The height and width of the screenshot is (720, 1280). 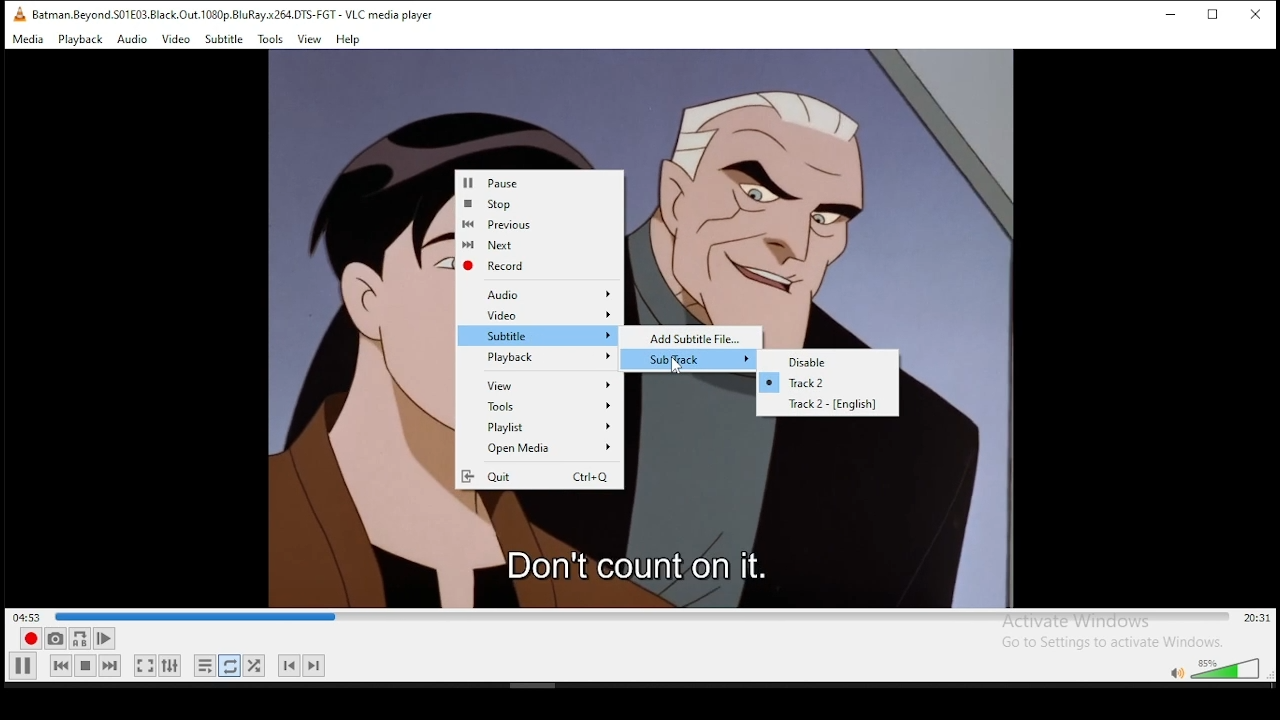 I want to click on Batman.Beyond.S01E03.Black.Out.1080p.BluRay.x264.0TS-FGT - VLC media player, so click(x=223, y=15).